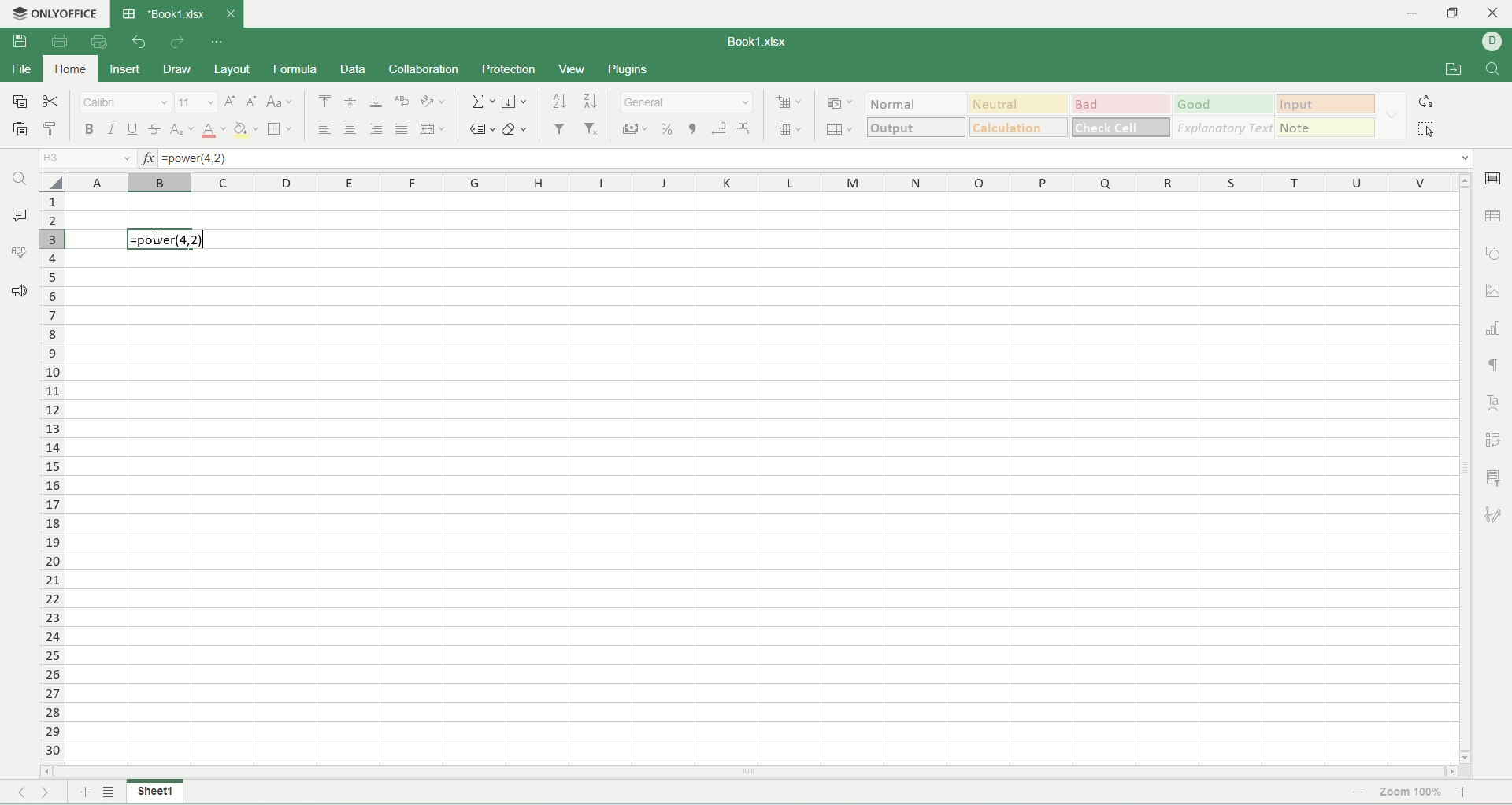  I want to click on collaboration, so click(424, 69).